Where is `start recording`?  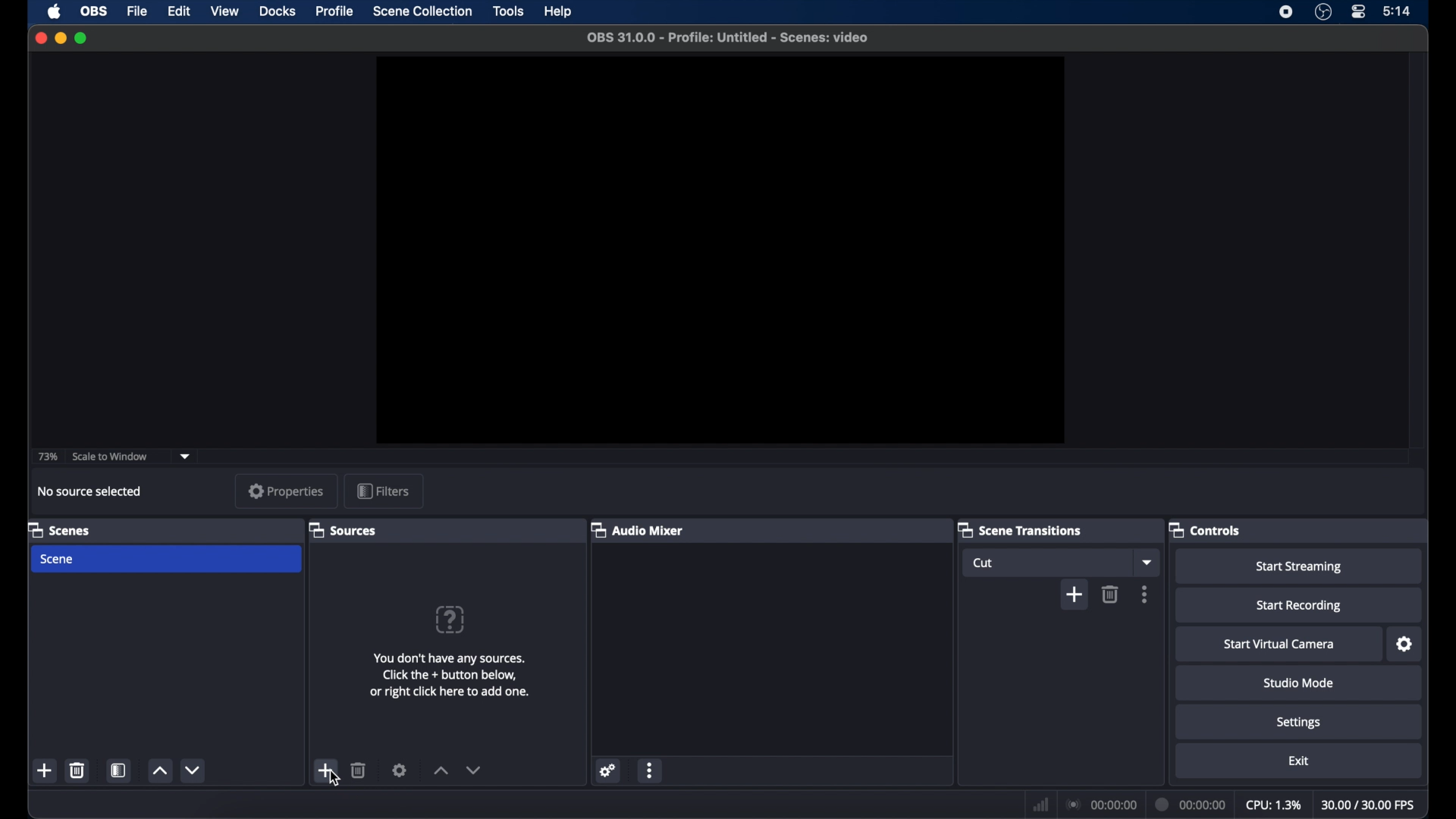 start recording is located at coordinates (1300, 606).